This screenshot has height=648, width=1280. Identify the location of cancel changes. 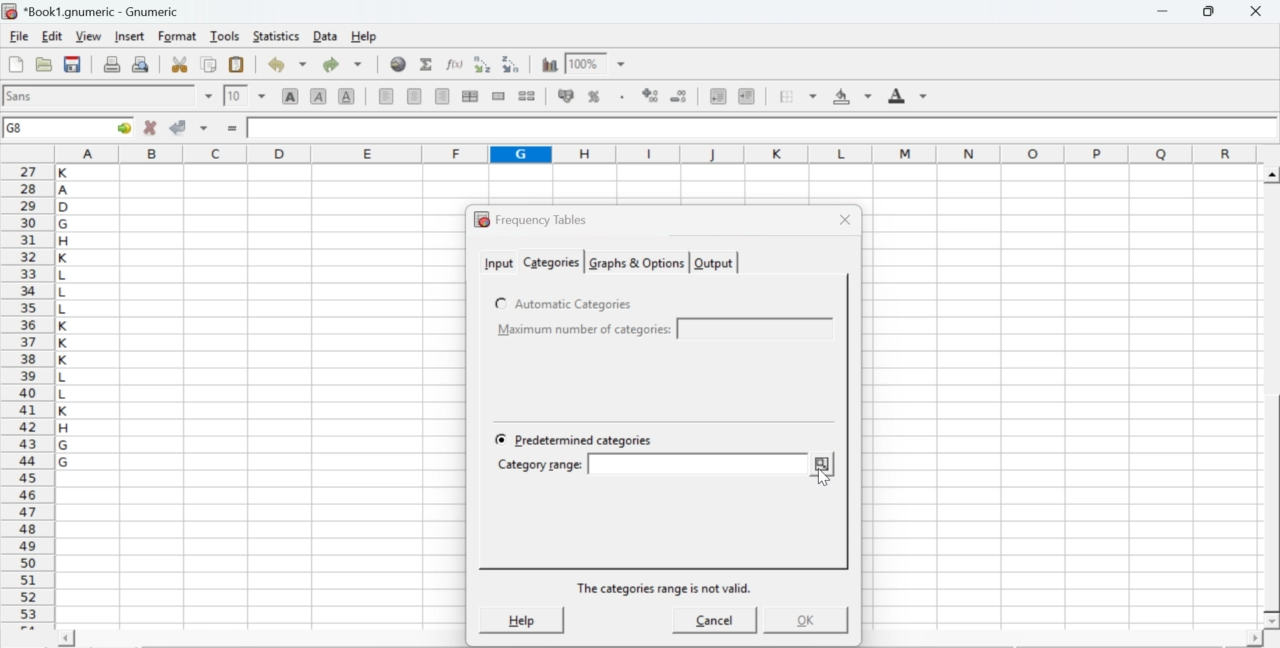
(151, 127).